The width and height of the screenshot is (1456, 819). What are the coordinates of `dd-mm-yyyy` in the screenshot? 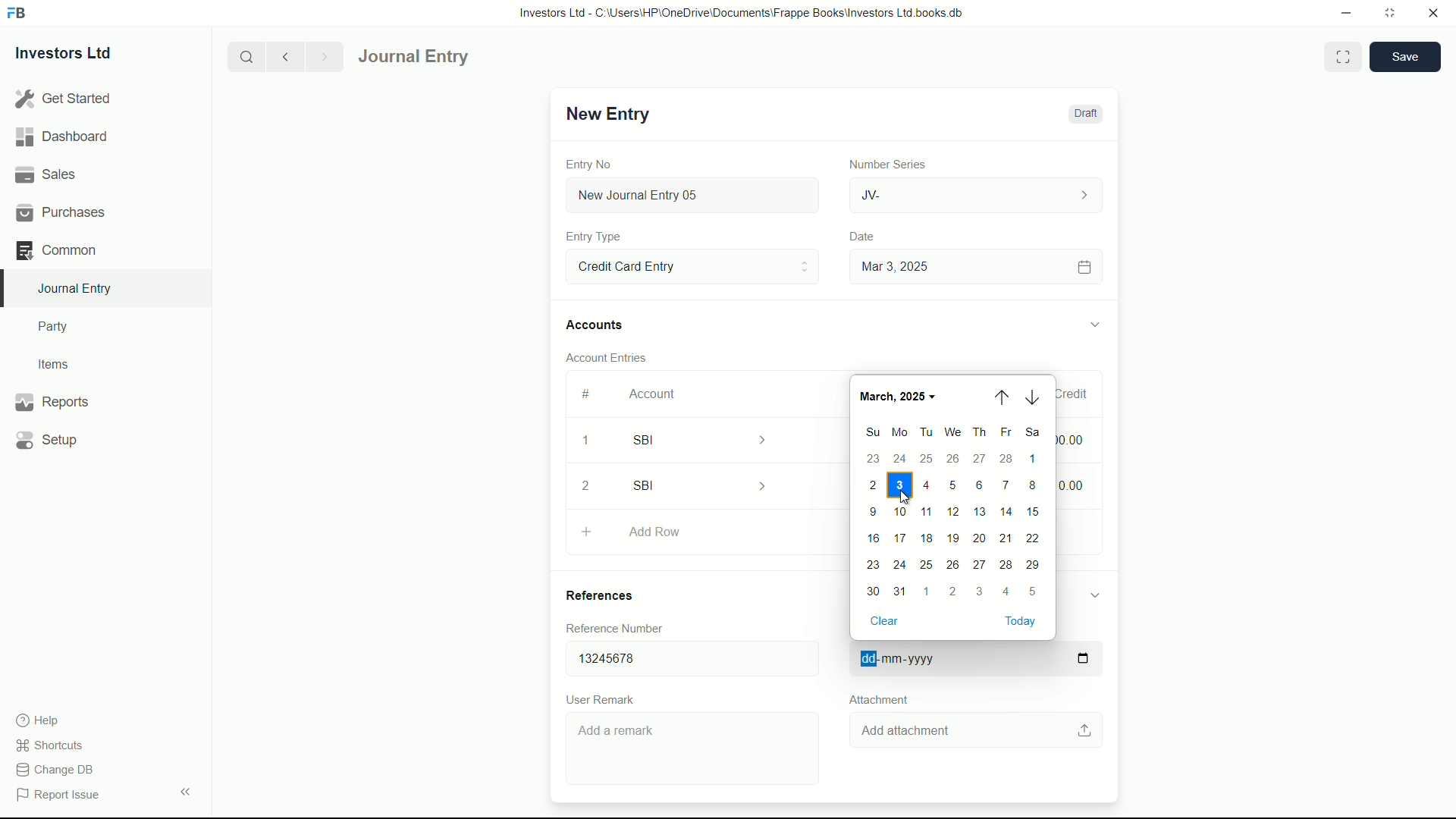 It's located at (971, 660).